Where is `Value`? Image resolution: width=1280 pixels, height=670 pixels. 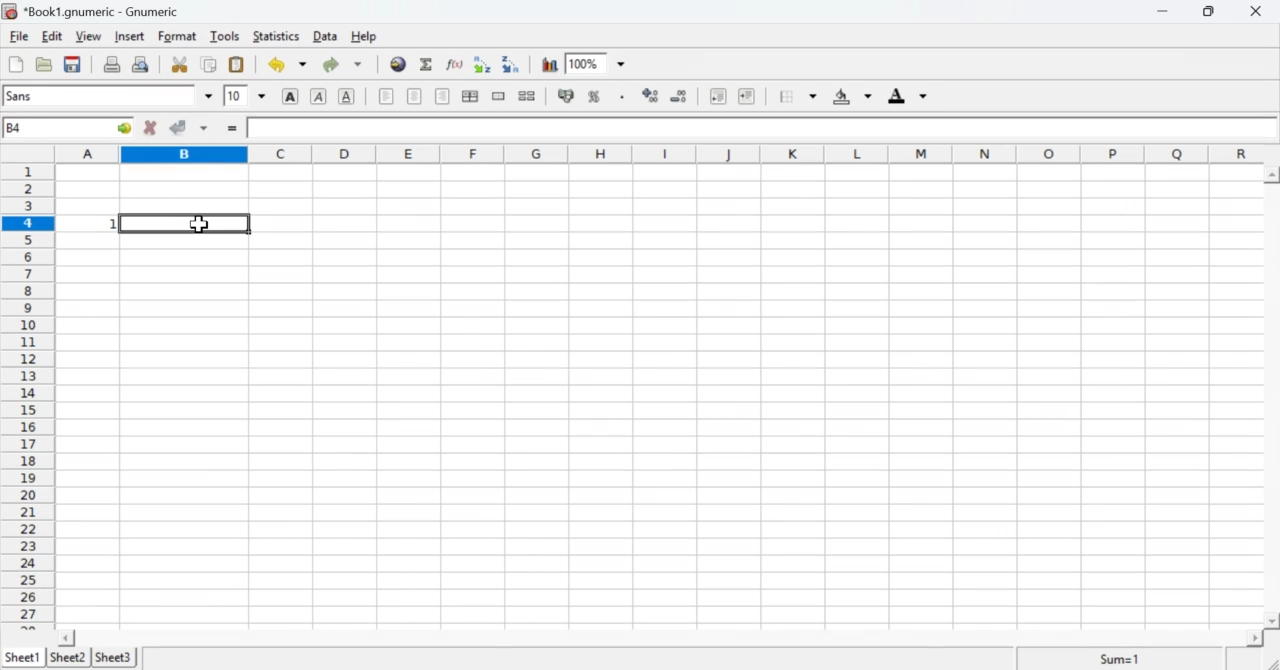 Value is located at coordinates (88, 223).